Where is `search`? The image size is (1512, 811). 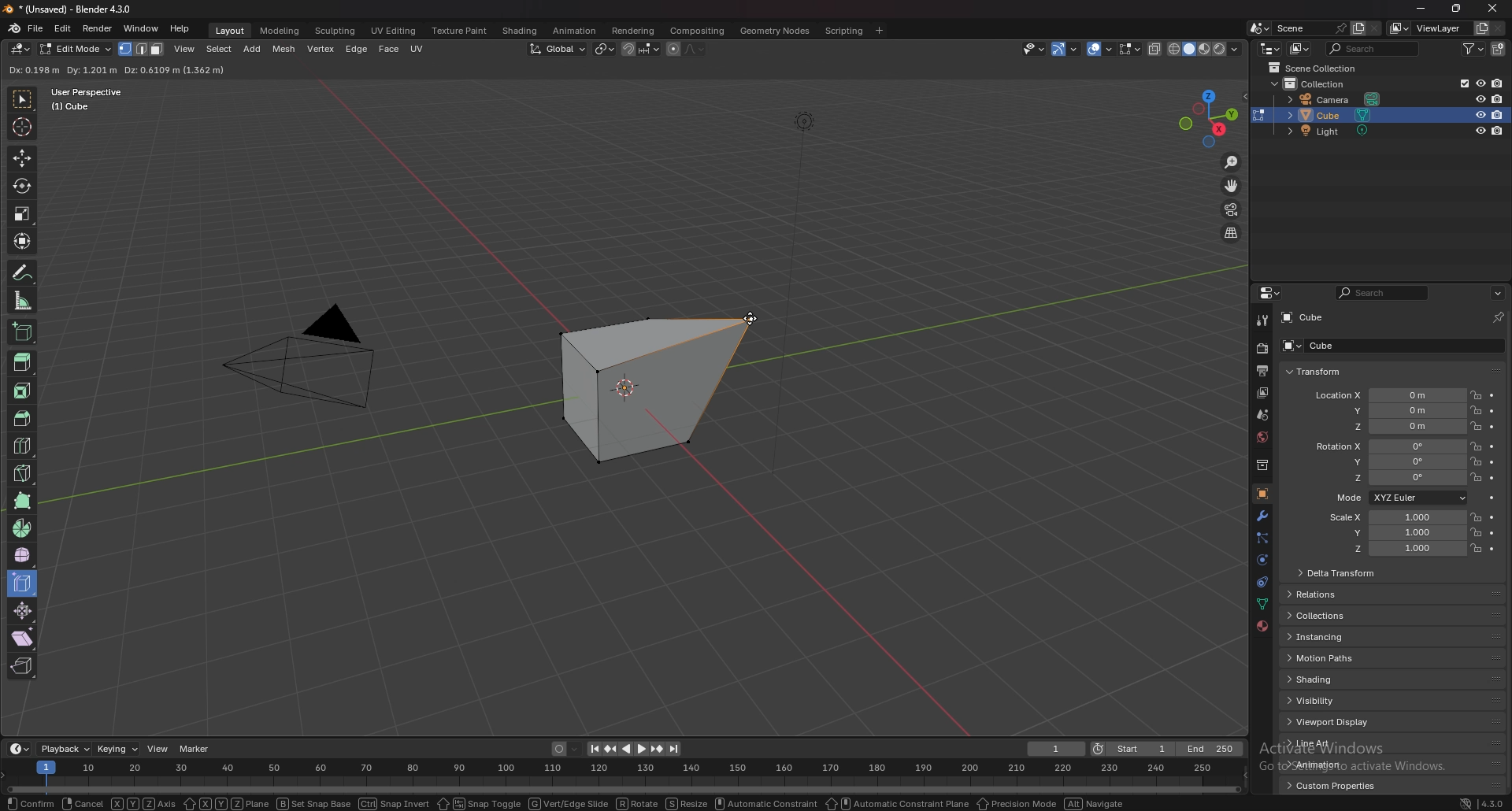
search is located at coordinates (1384, 293).